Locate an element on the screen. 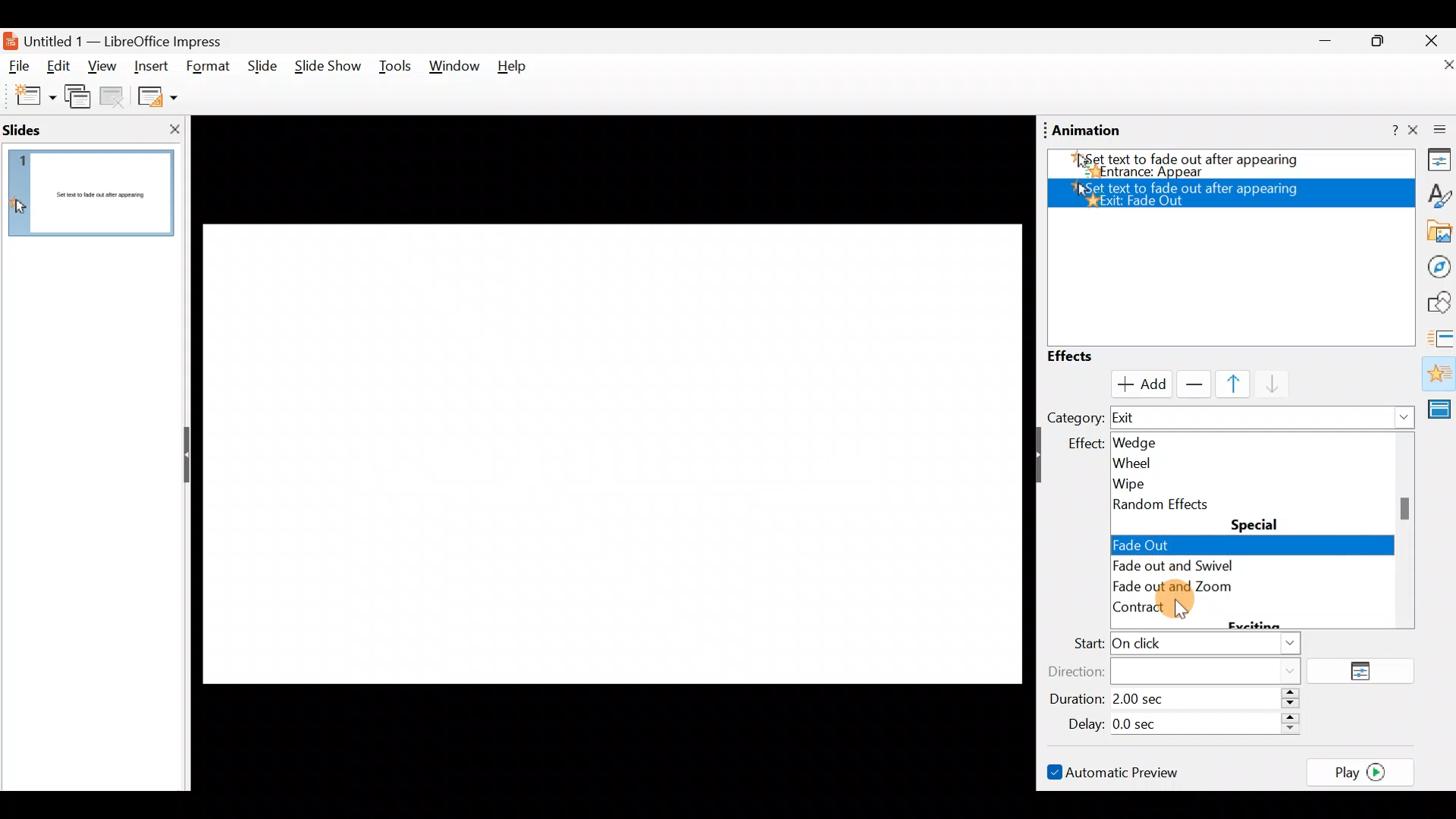 The width and height of the screenshot is (1456, 819). Close document is located at coordinates (1433, 66).